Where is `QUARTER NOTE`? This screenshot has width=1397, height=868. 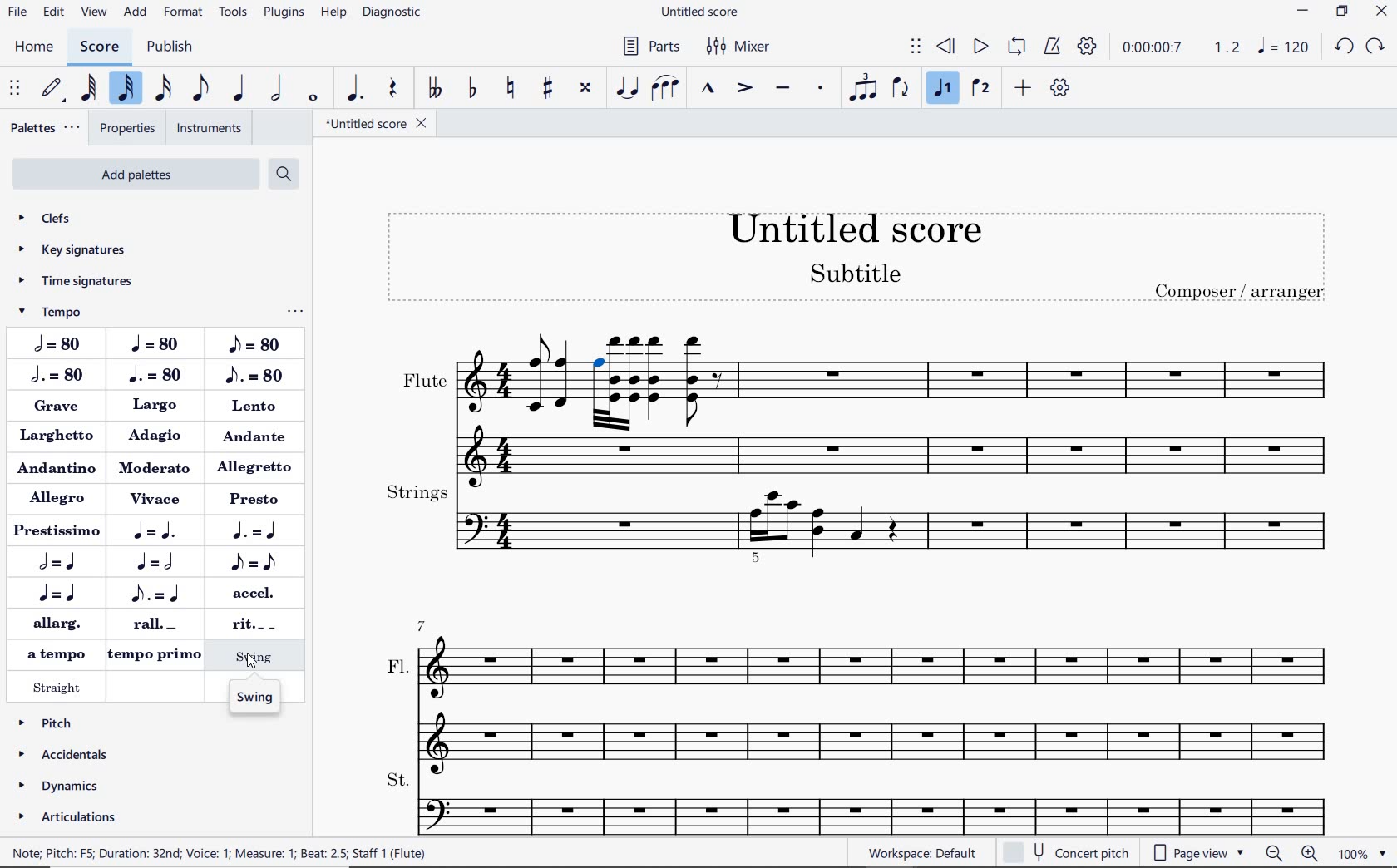 QUARTER NOTE is located at coordinates (240, 88).